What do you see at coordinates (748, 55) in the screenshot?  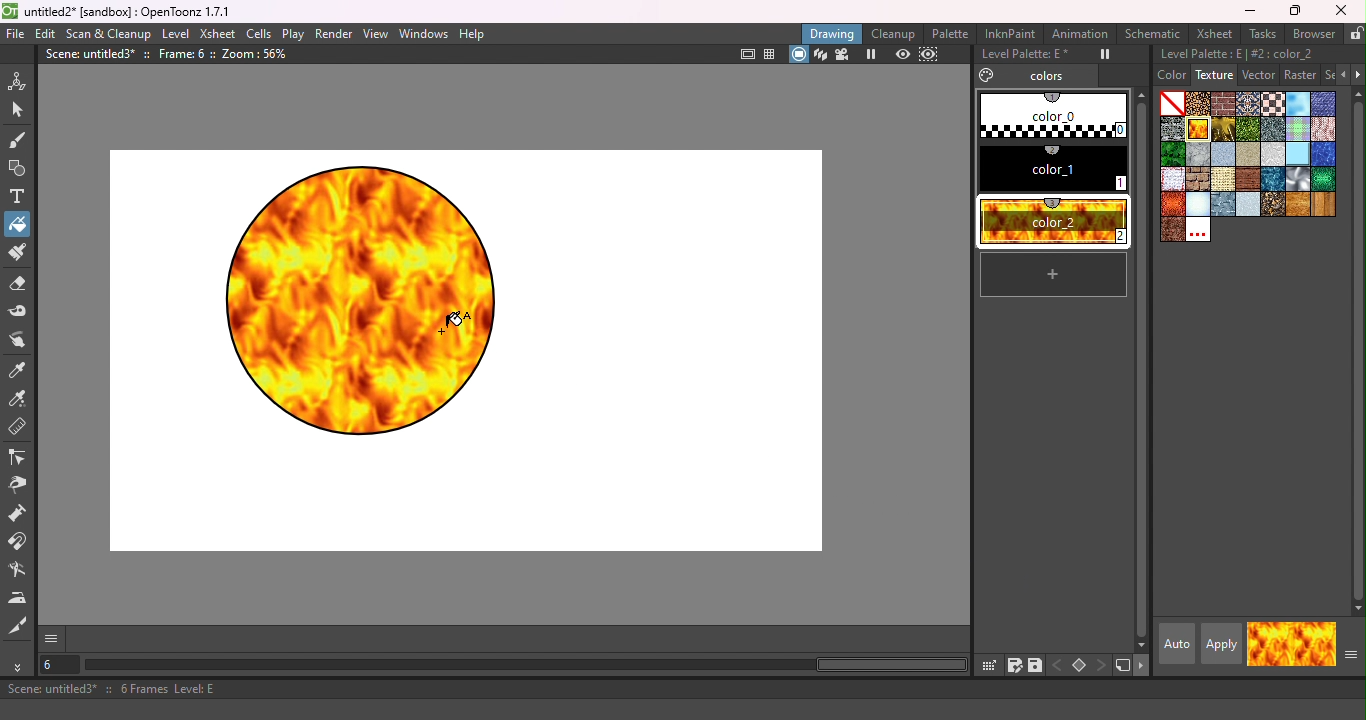 I see `Safe area` at bounding box center [748, 55].